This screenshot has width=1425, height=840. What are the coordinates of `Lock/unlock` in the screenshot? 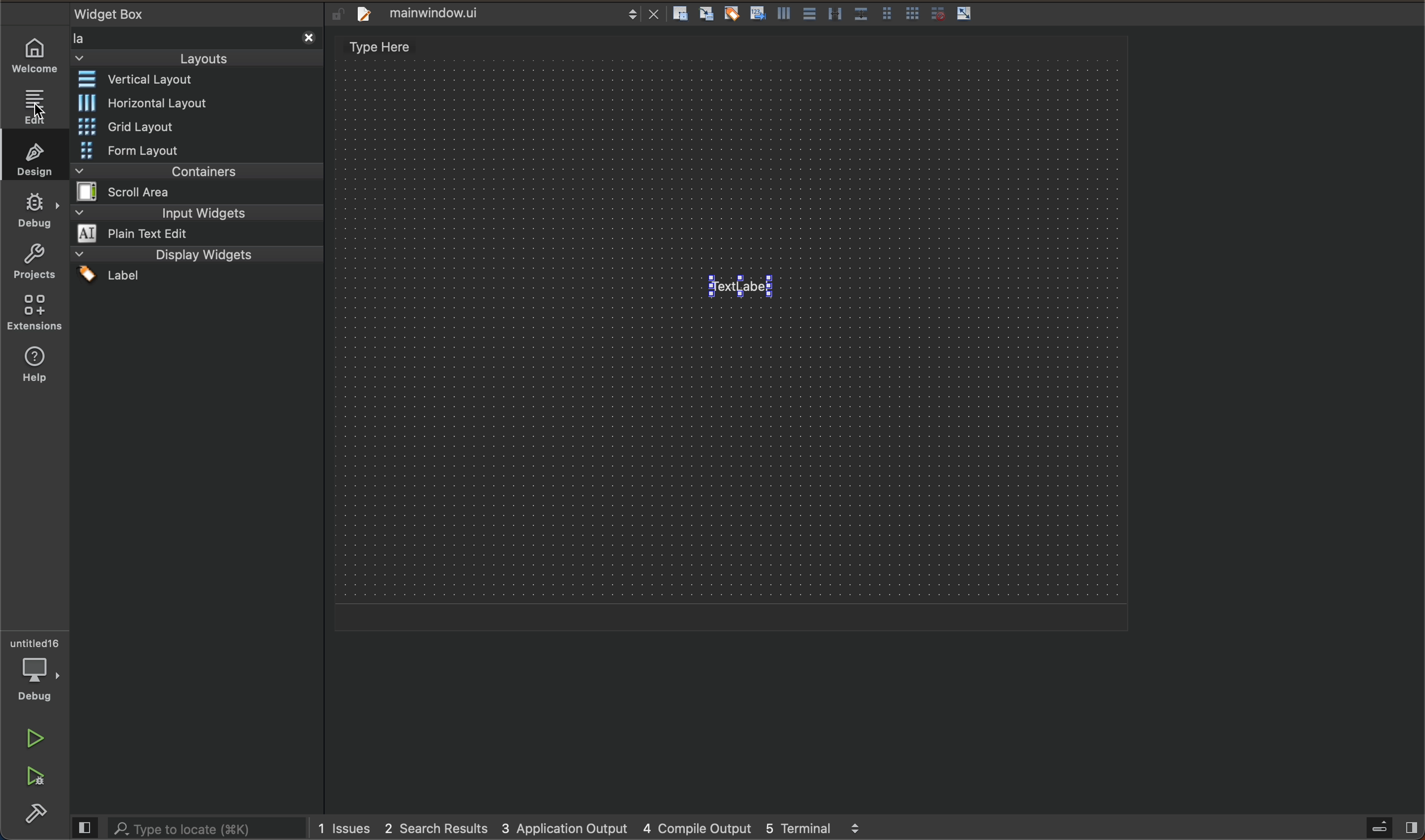 It's located at (339, 10).